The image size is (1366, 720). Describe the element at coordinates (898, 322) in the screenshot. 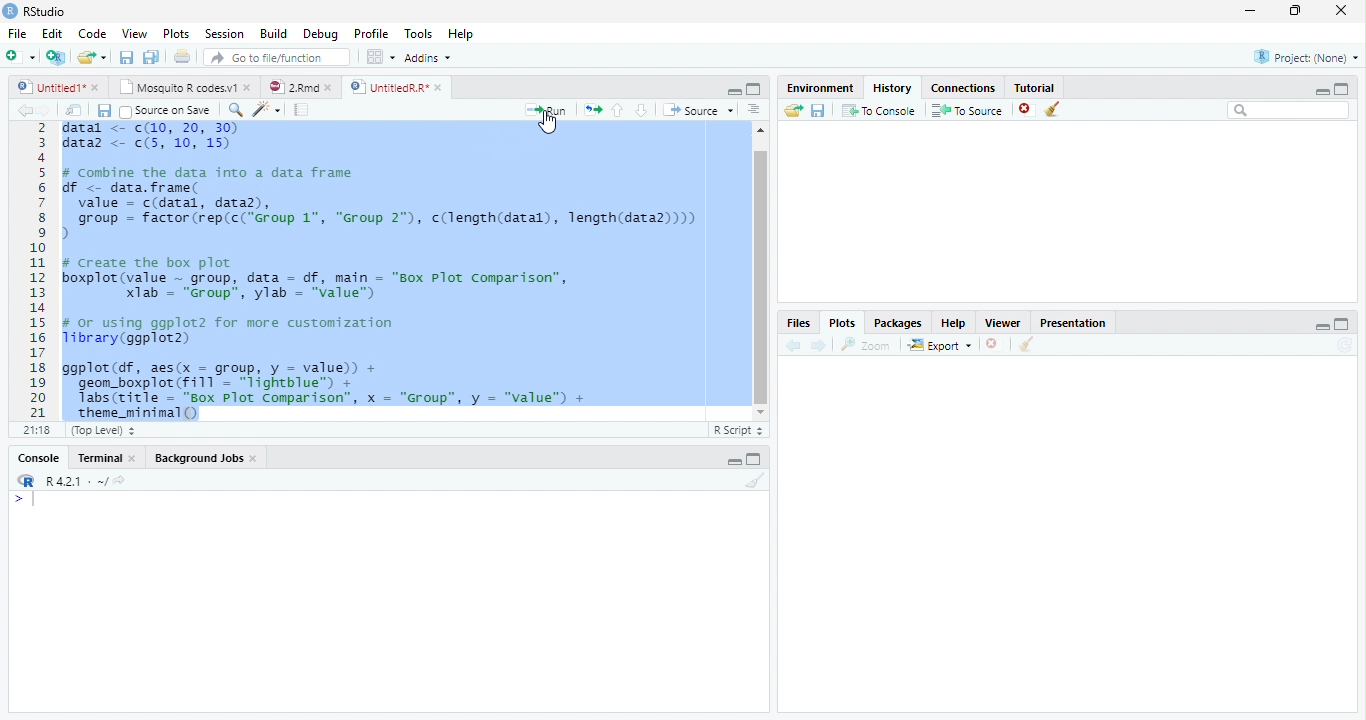

I see `Packages` at that location.